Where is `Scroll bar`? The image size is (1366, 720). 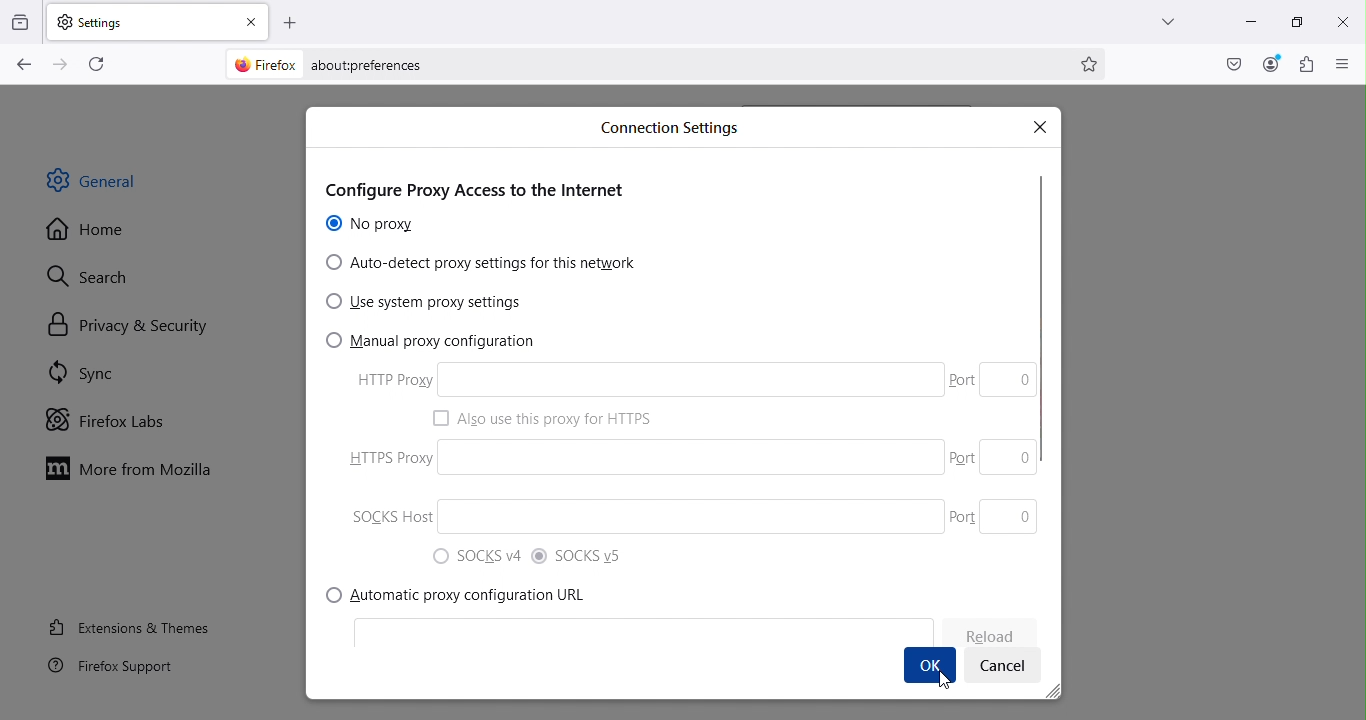 Scroll bar is located at coordinates (1044, 392).